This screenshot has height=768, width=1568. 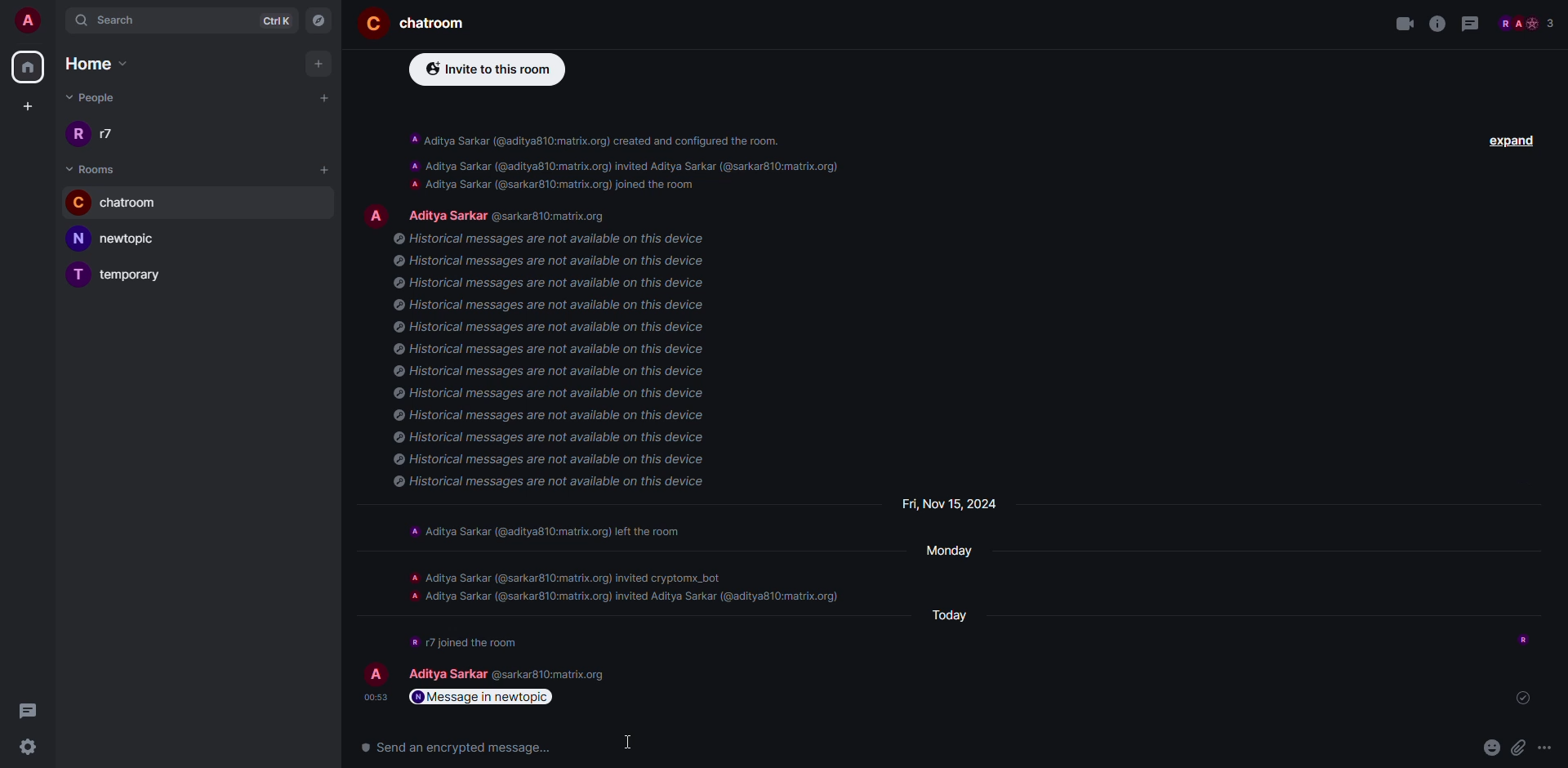 I want to click on home, so click(x=105, y=65).